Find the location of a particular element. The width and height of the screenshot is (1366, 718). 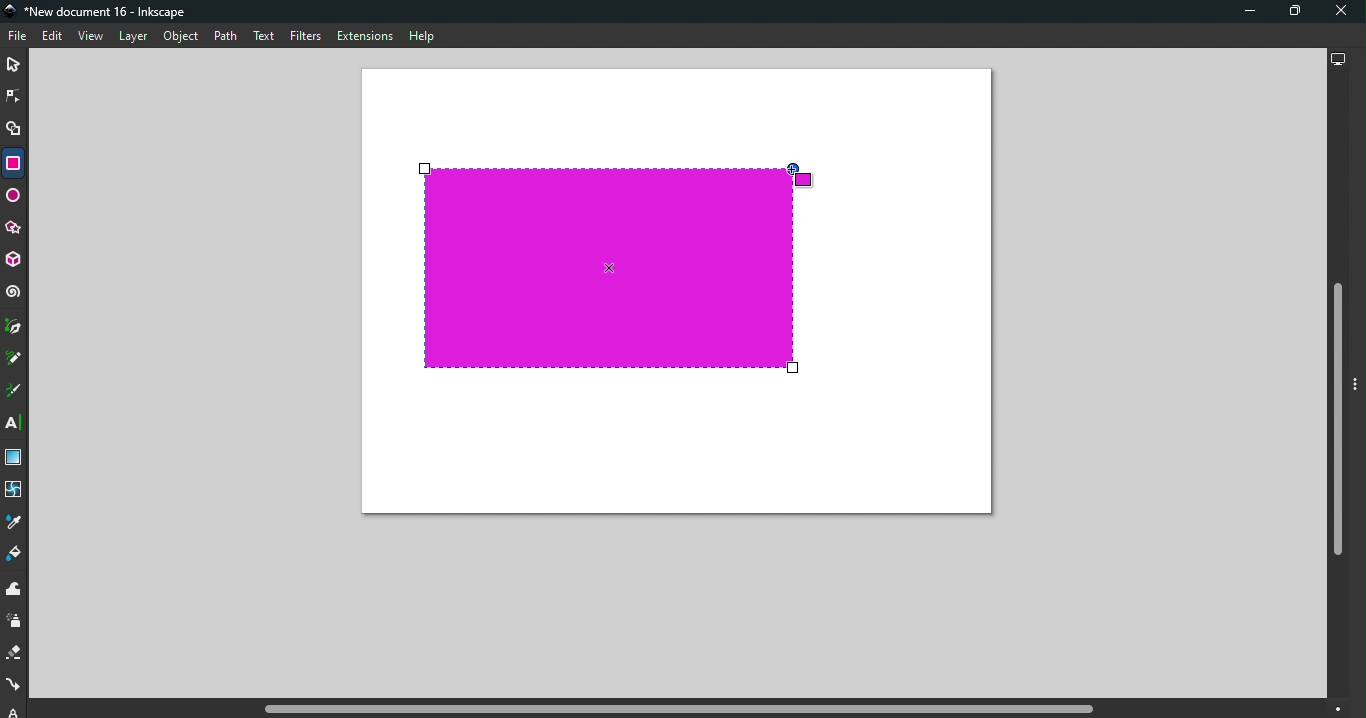

Rectangle tool is located at coordinates (12, 163).